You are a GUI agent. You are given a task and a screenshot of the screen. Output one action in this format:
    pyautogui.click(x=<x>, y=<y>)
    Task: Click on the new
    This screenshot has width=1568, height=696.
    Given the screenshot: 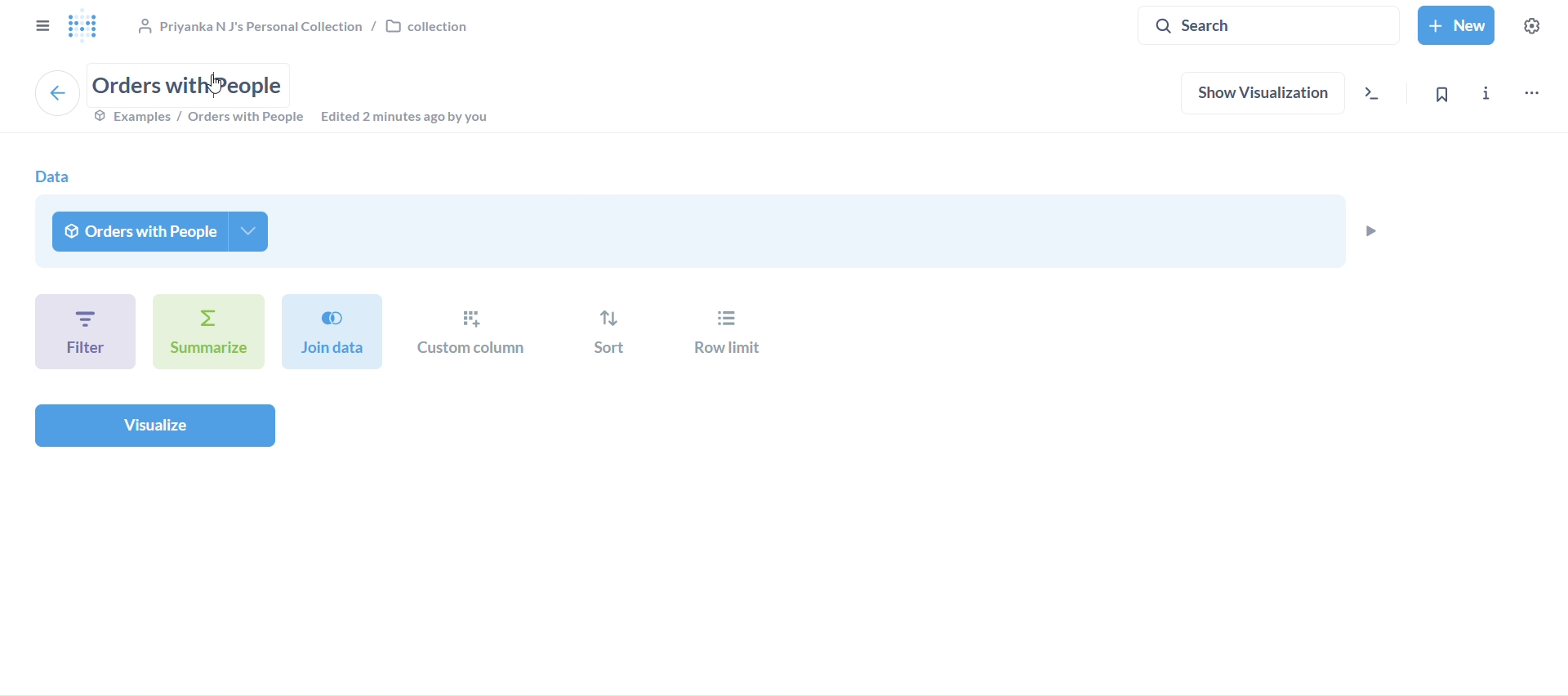 What is the action you would take?
    pyautogui.click(x=1458, y=26)
    